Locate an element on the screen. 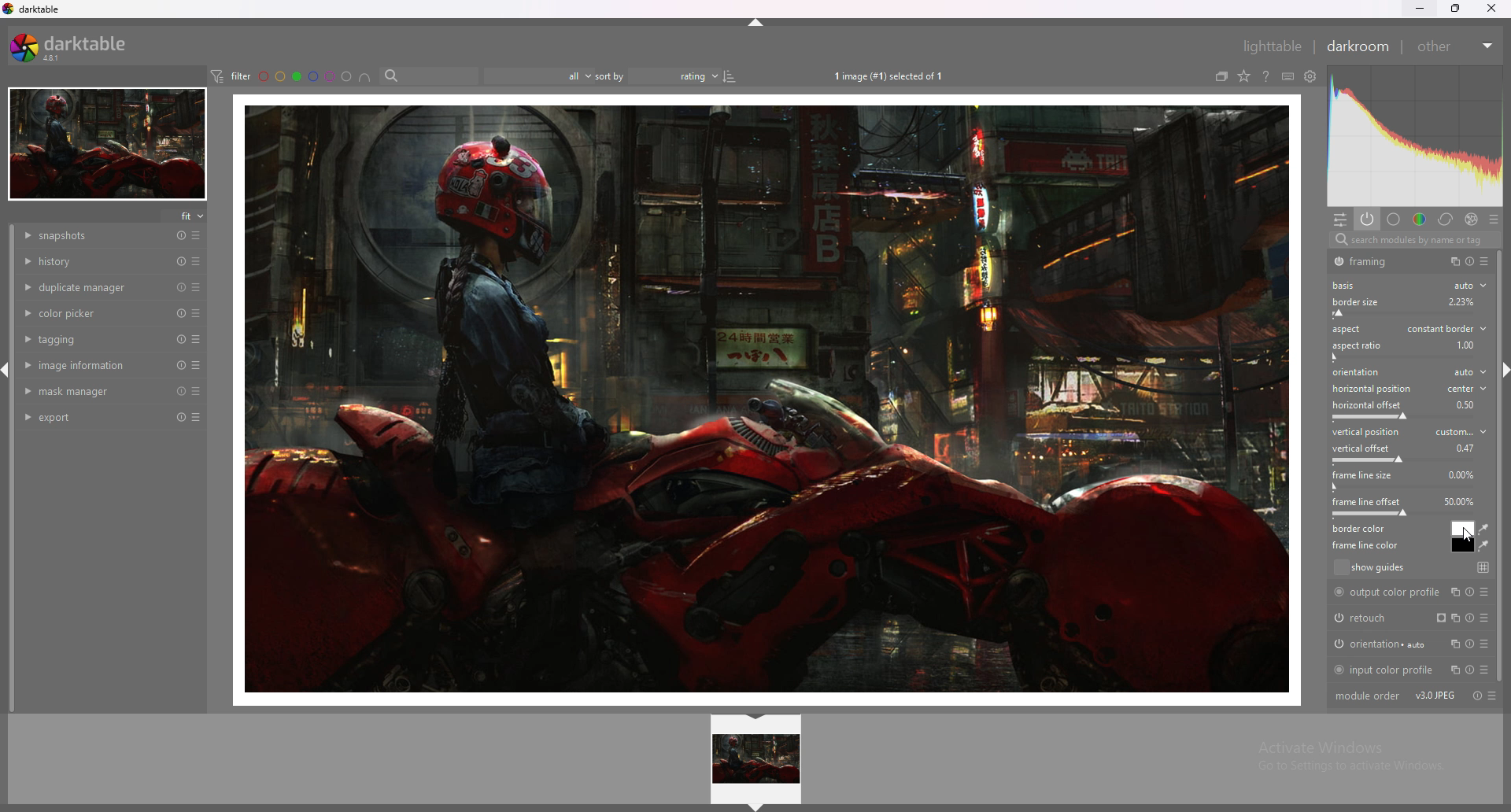 The image size is (1511, 812). hide panel is located at coordinates (756, 806).